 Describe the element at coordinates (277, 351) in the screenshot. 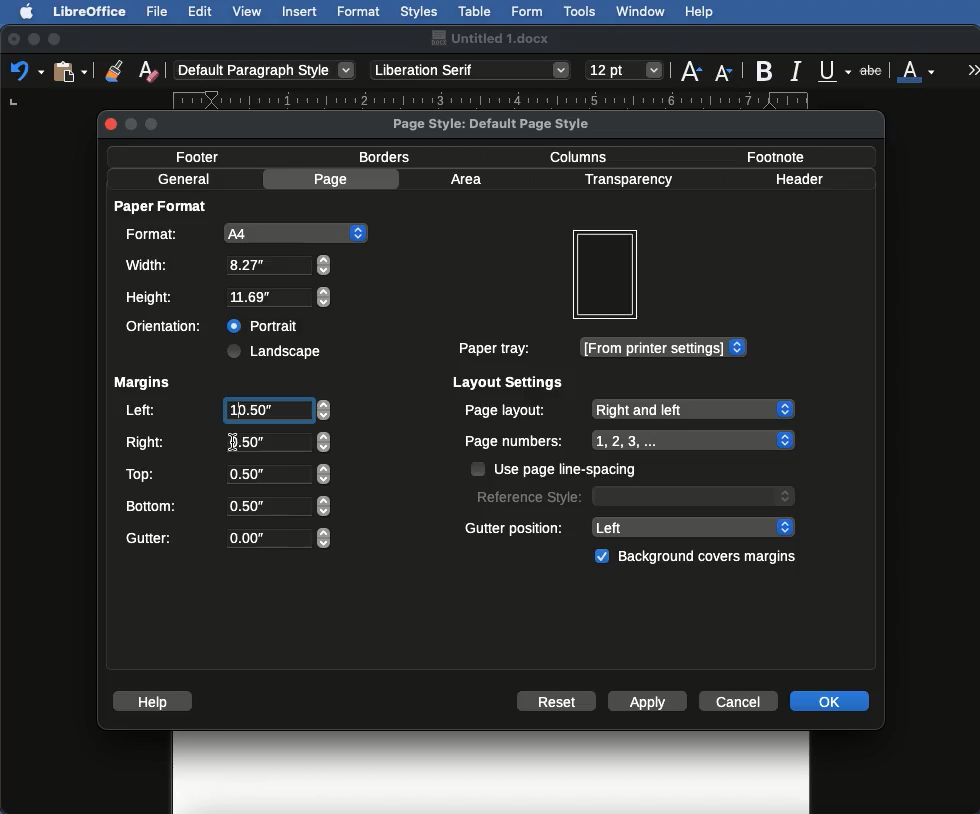

I see `Landscape` at that location.